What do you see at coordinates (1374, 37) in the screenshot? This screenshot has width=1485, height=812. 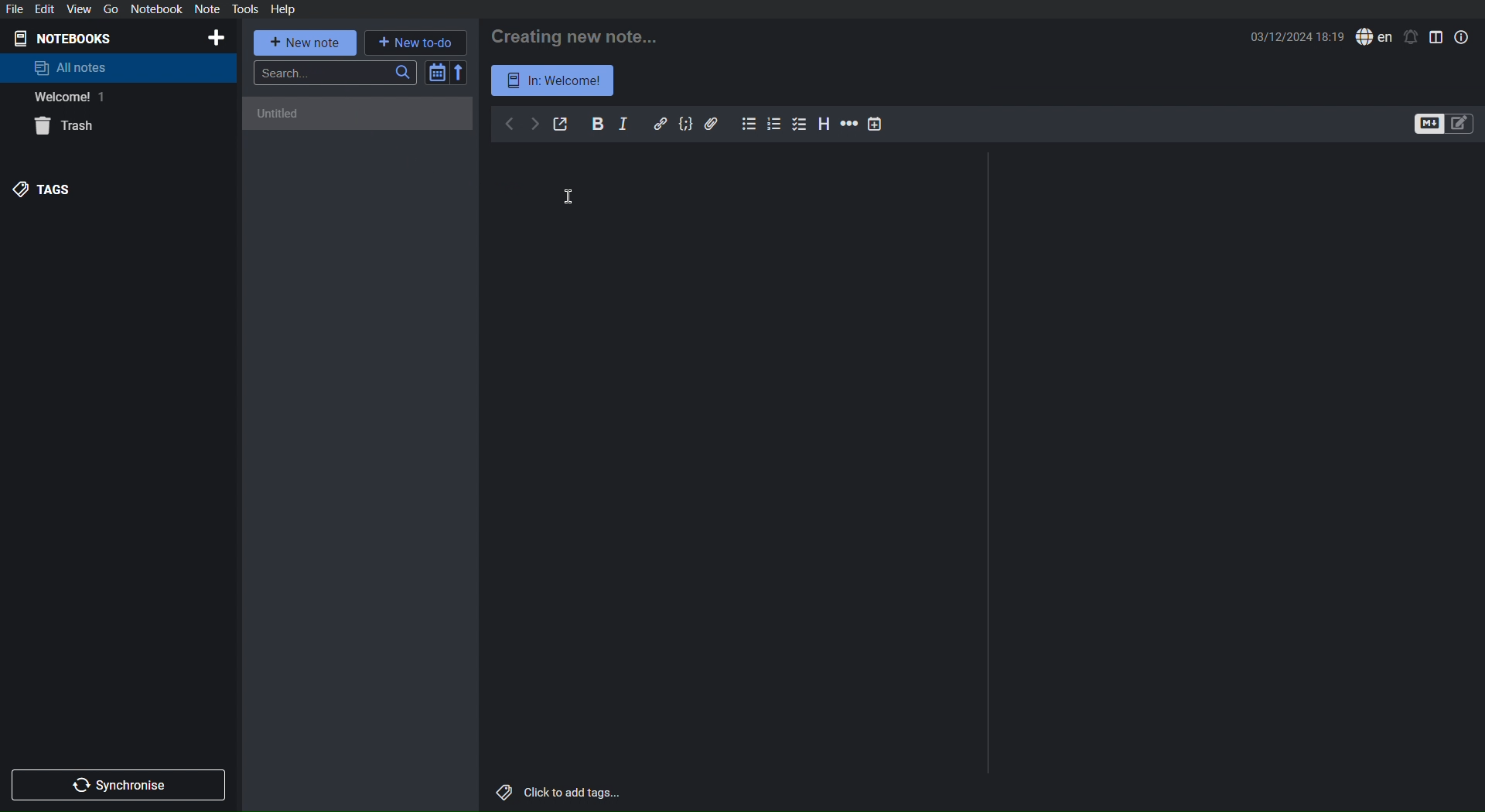 I see `English` at bounding box center [1374, 37].